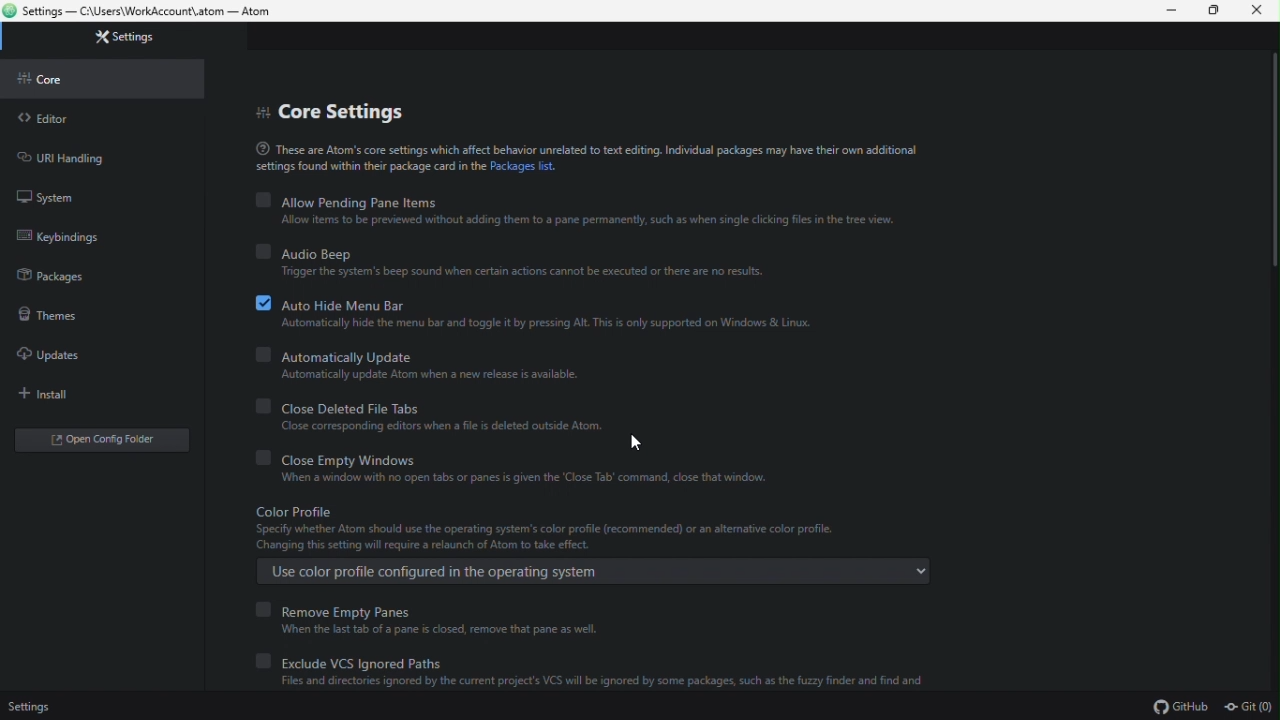 Image resolution: width=1280 pixels, height=720 pixels. I want to click on Use color profile configured in the operating system , so click(600, 572).